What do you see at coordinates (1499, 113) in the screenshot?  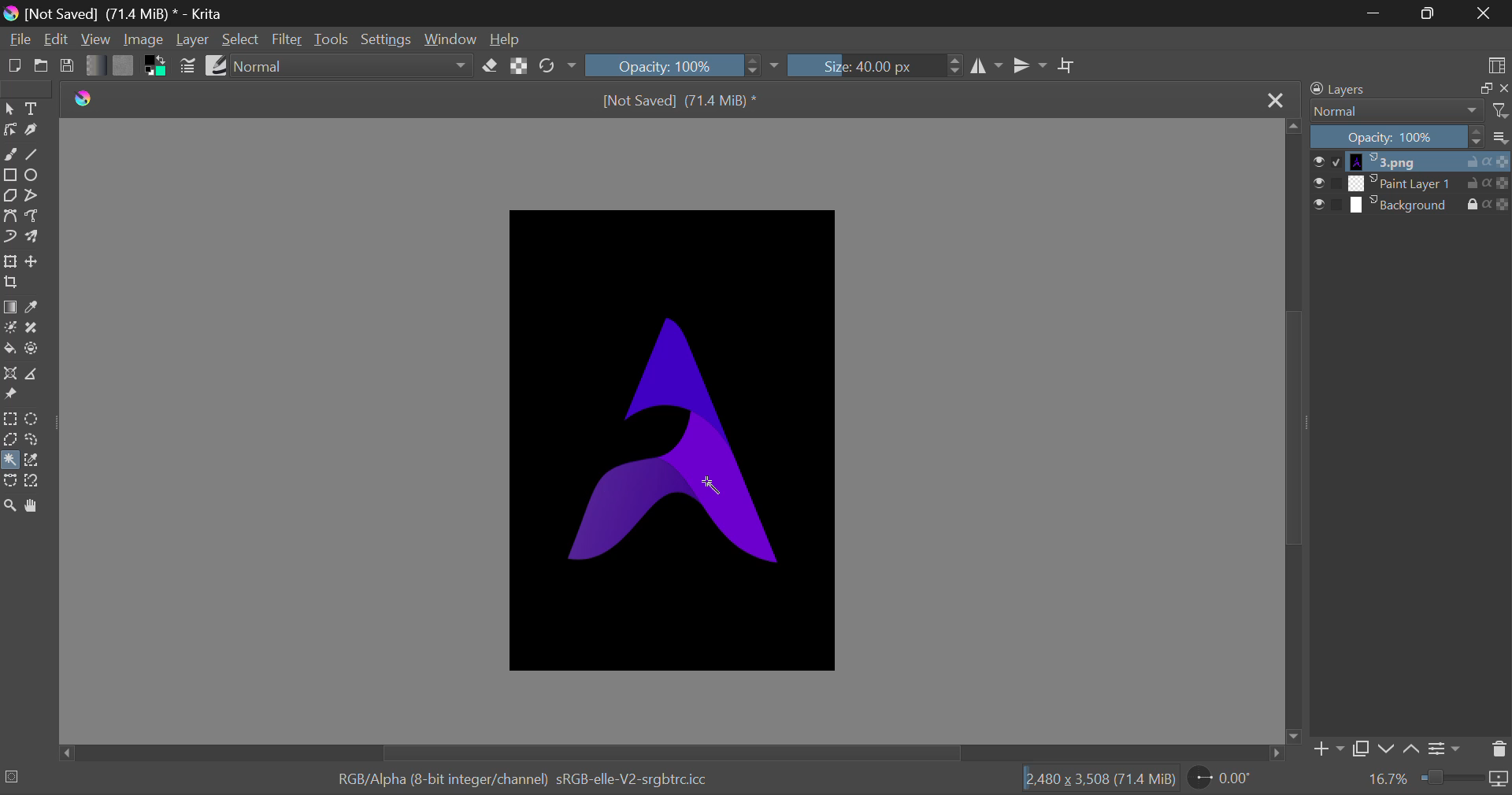 I see `filter` at bounding box center [1499, 113].